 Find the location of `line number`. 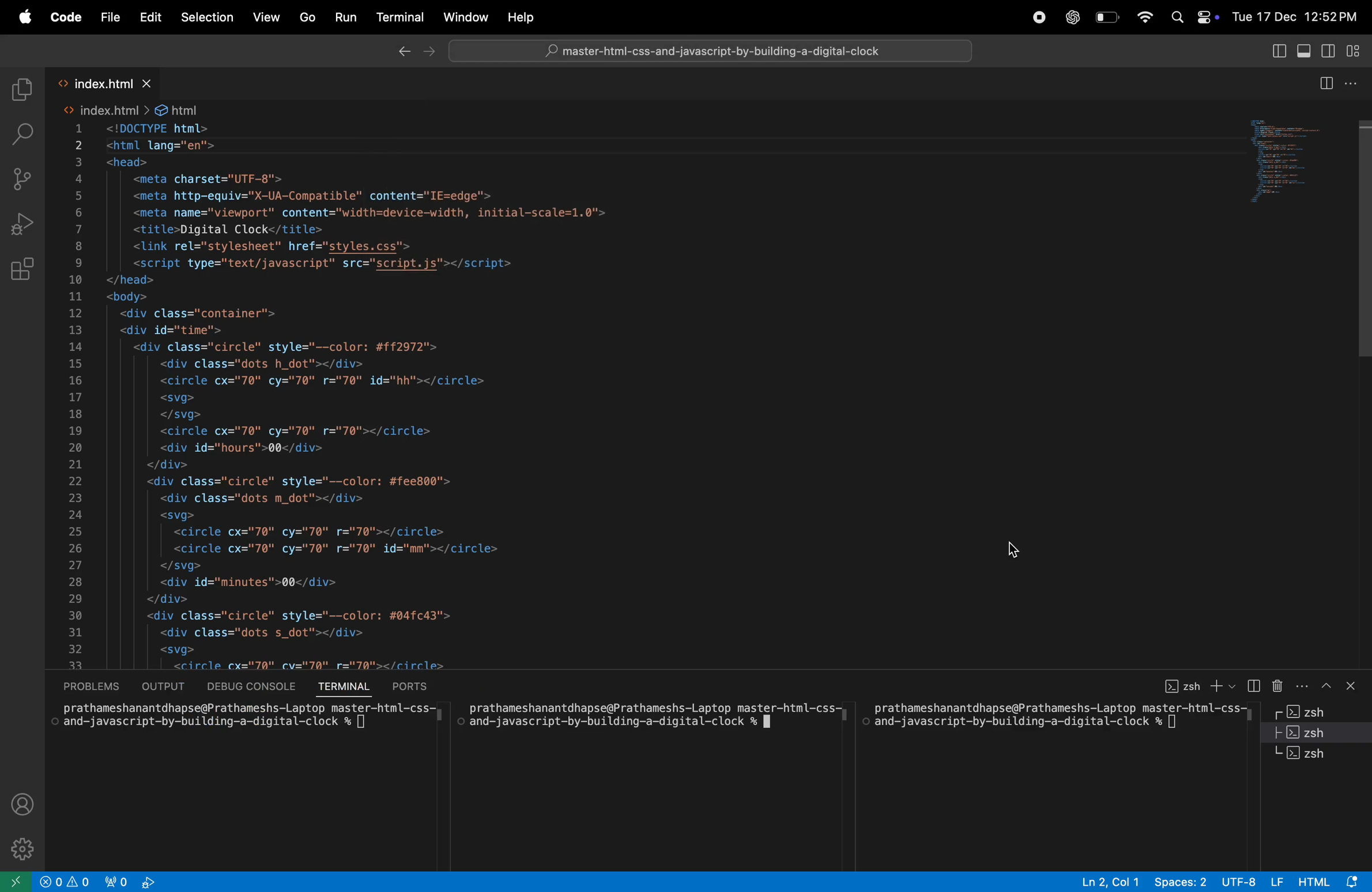

line number is located at coordinates (76, 398).